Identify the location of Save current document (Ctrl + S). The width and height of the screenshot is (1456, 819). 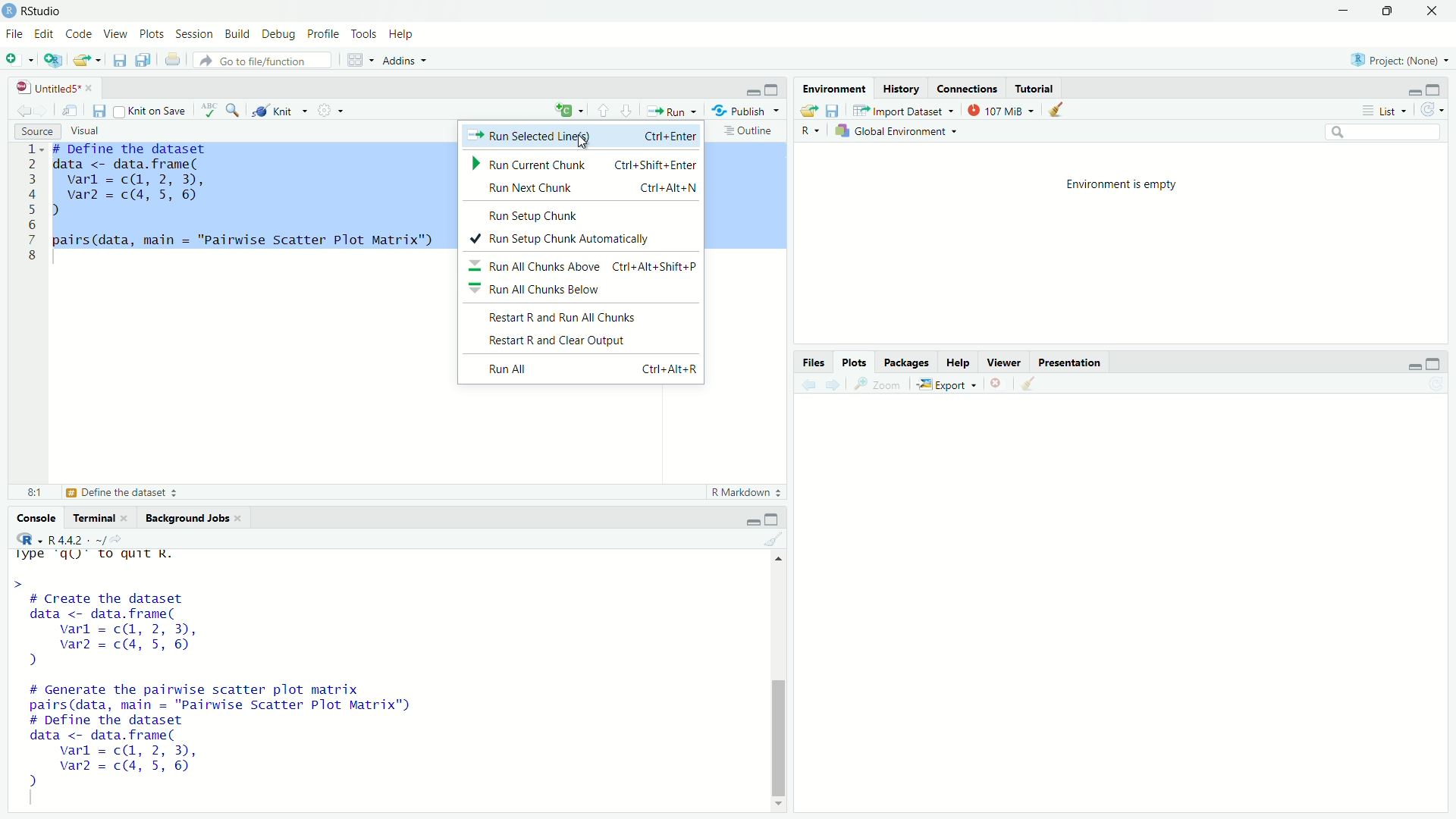
(120, 58).